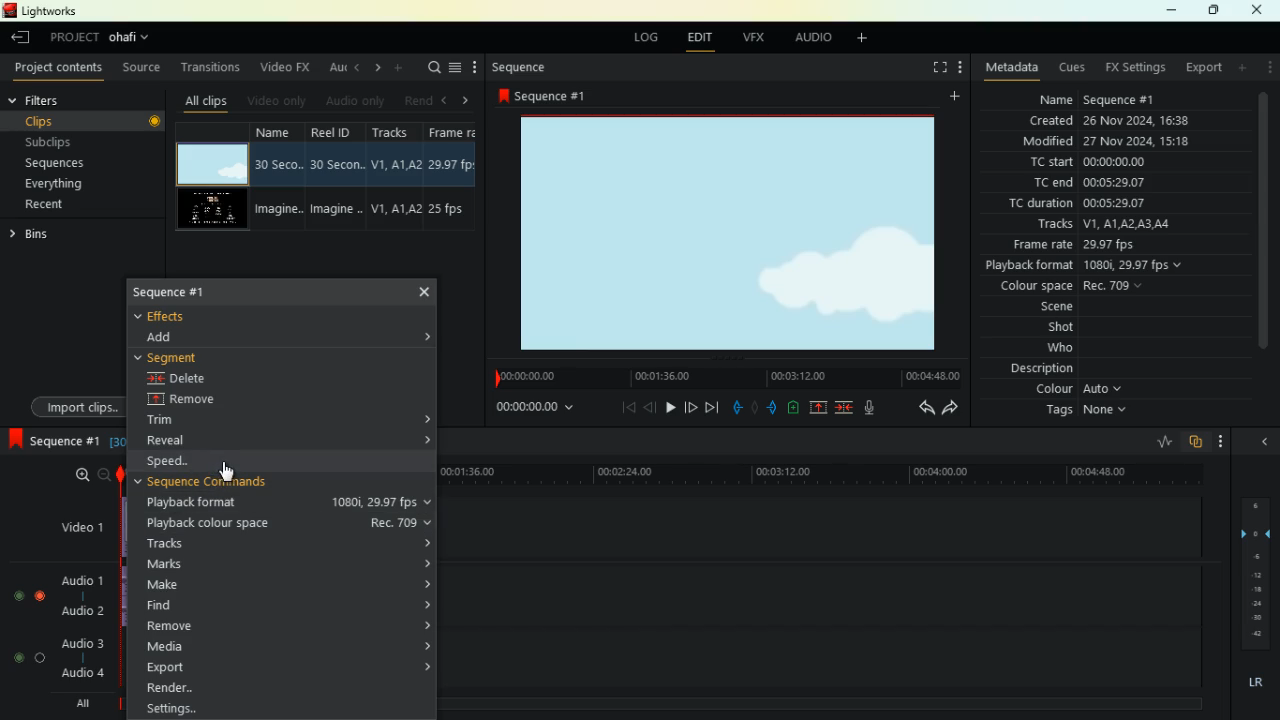  Describe the element at coordinates (845, 408) in the screenshot. I see `merge` at that location.